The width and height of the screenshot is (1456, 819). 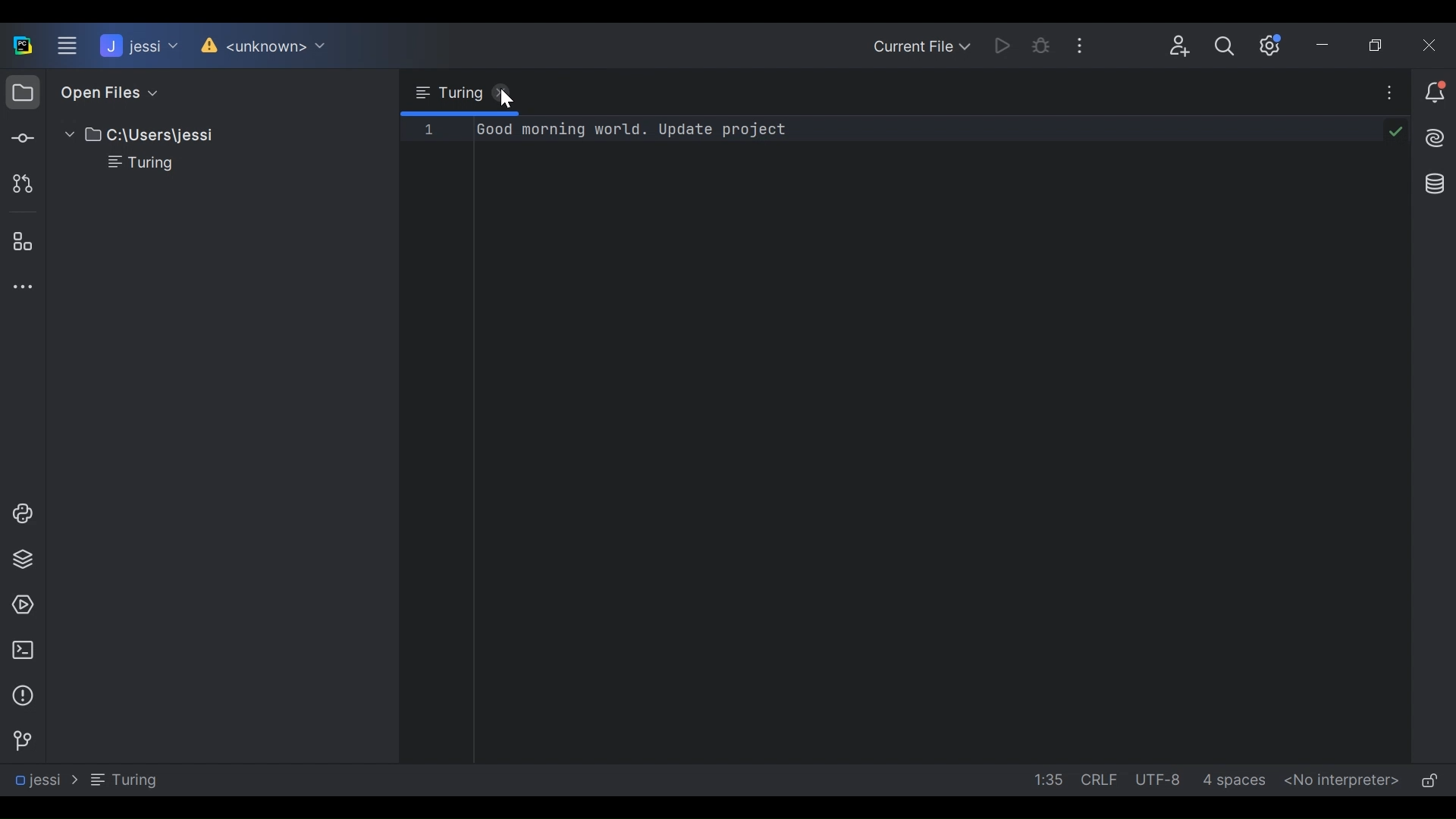 What do you see at coordinates (18, 286) in the screenshot?
I see `More Tool Windows` at bounding box center [18, 286].